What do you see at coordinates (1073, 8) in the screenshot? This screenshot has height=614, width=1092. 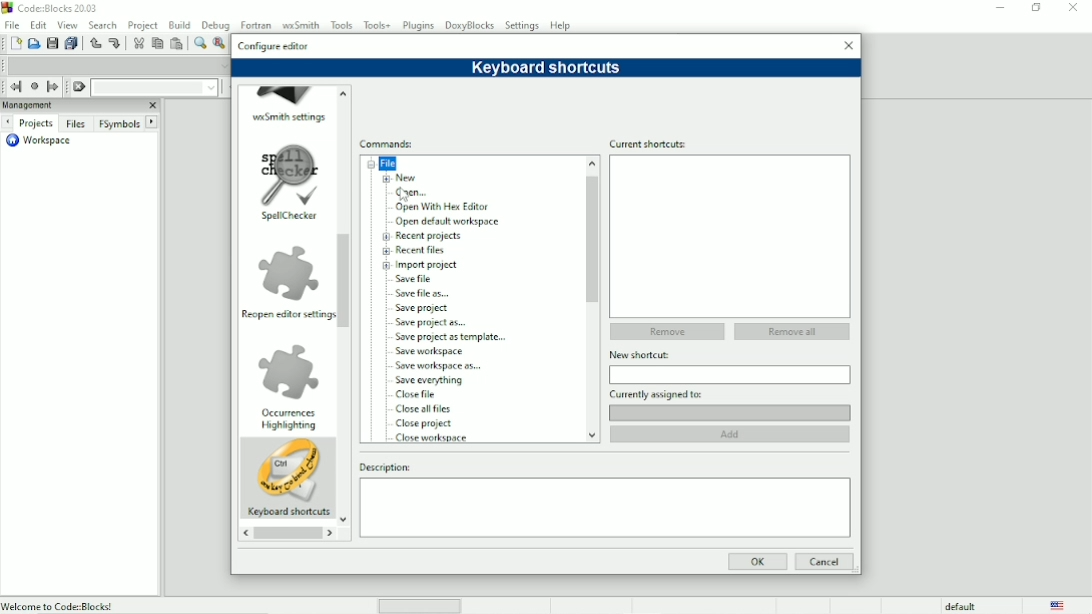 I see `Close` at bounding box center [1073, 8].